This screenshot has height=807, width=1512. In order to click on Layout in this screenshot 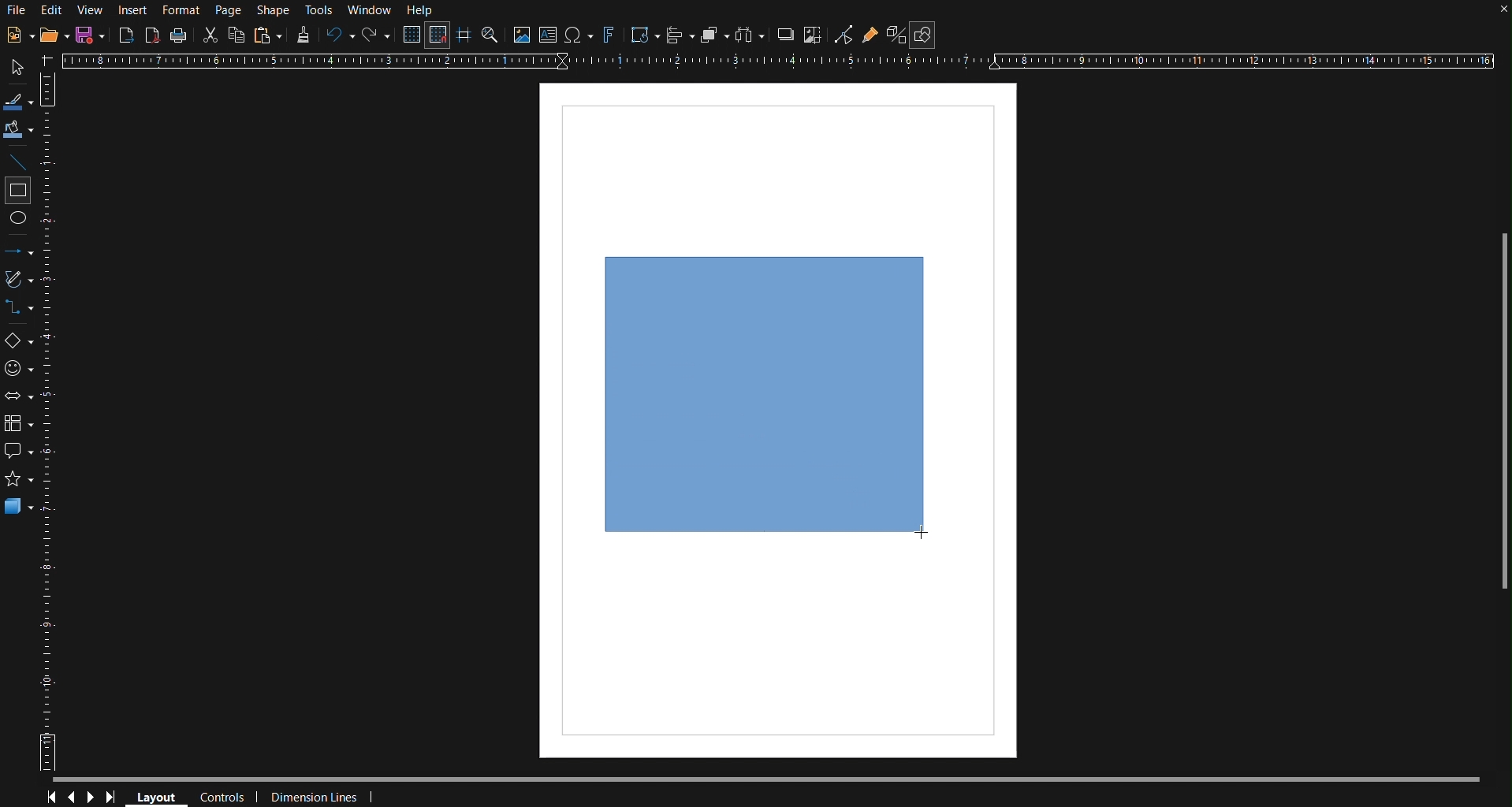, I will do `click(155, 796)`.